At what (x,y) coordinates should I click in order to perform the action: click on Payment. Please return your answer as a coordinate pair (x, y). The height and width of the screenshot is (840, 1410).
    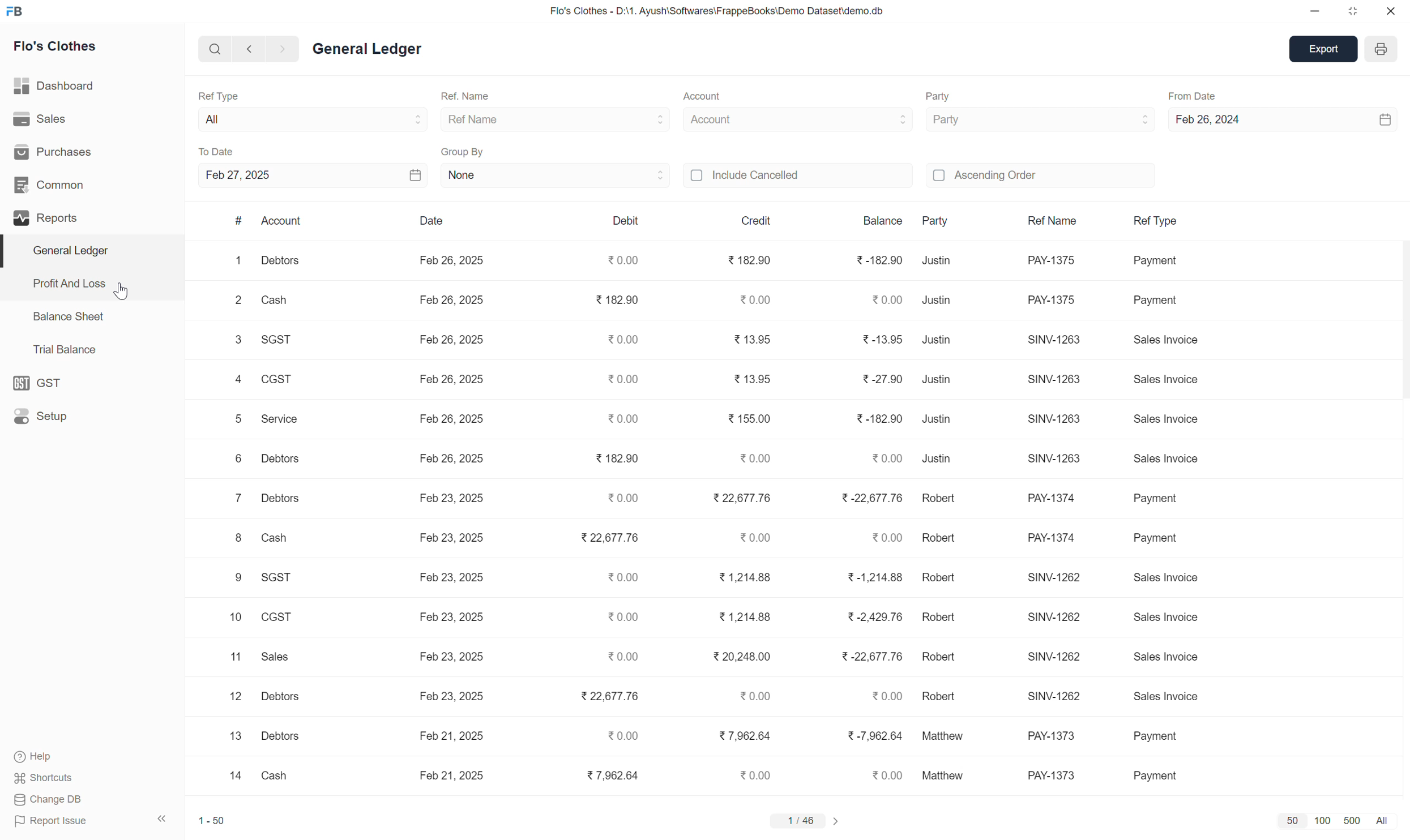
    Looking at the image, I should click on (1163, 736).